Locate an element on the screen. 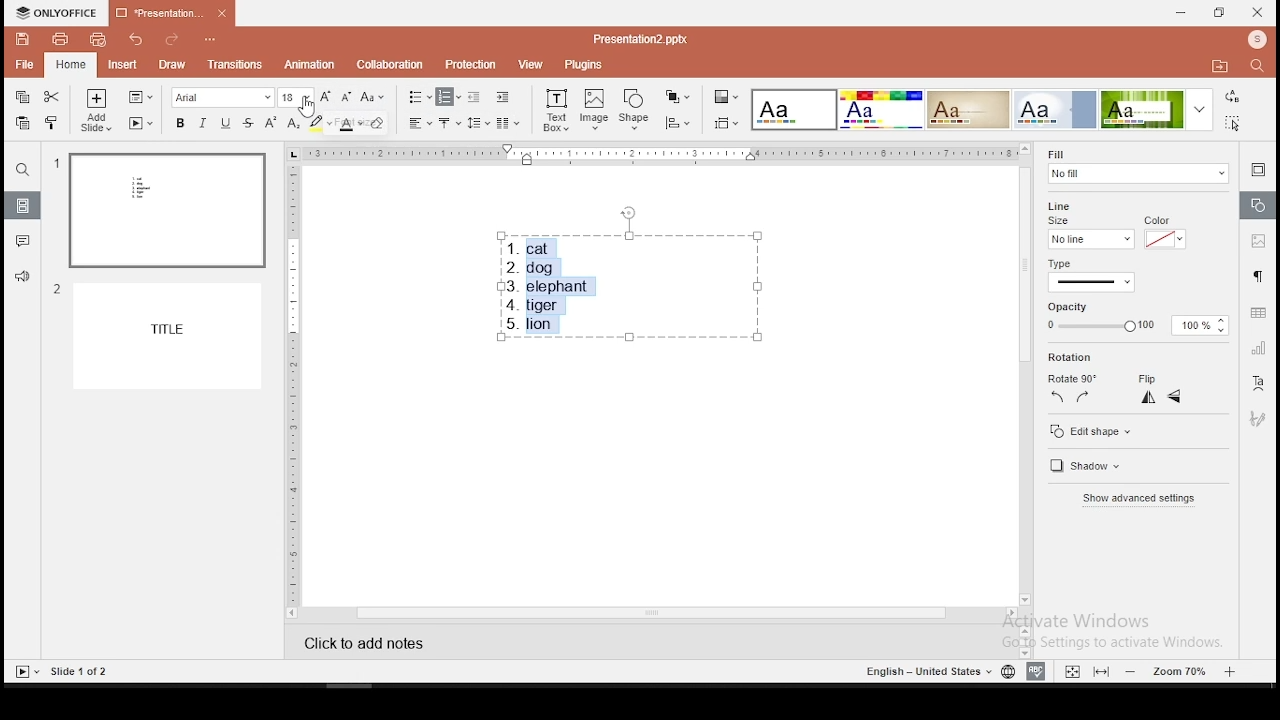 This screenshot has width=1280, height=720. font is located at coordinates (220, 97).